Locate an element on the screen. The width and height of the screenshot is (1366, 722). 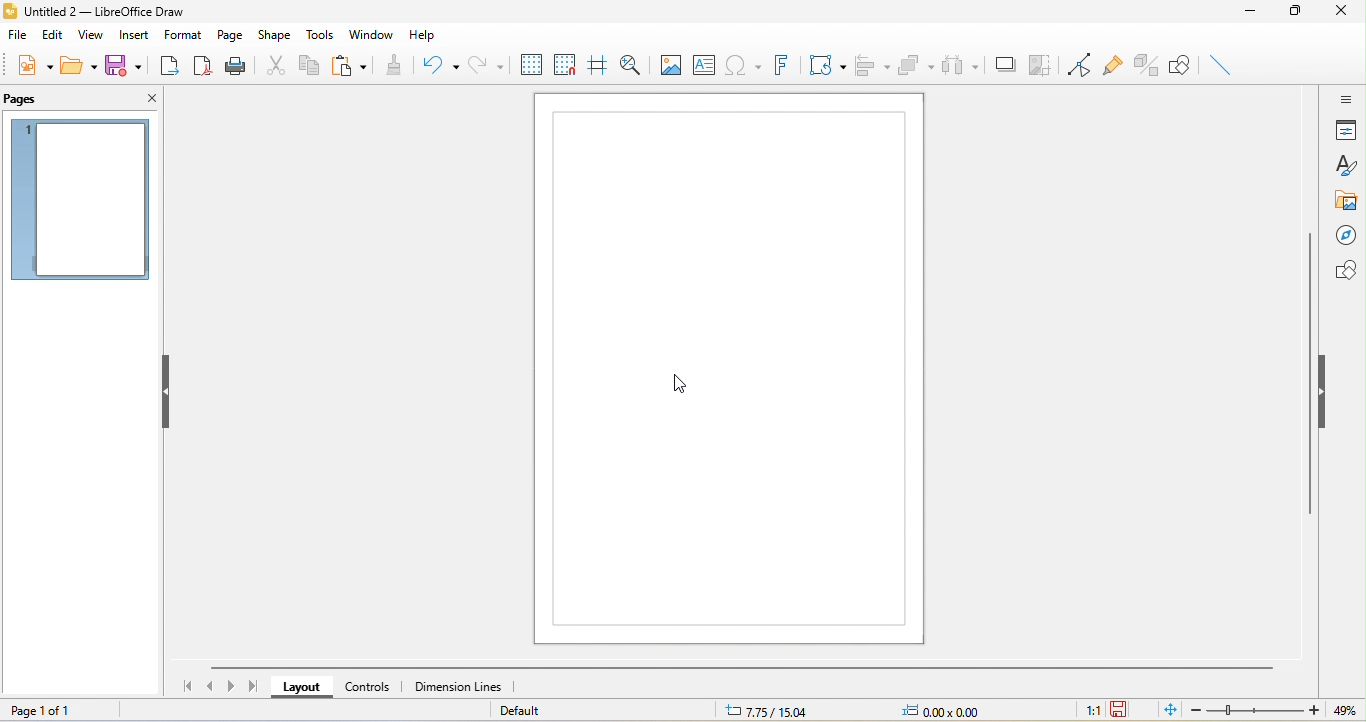
zoom and pan is located at coordinates (634, 68).